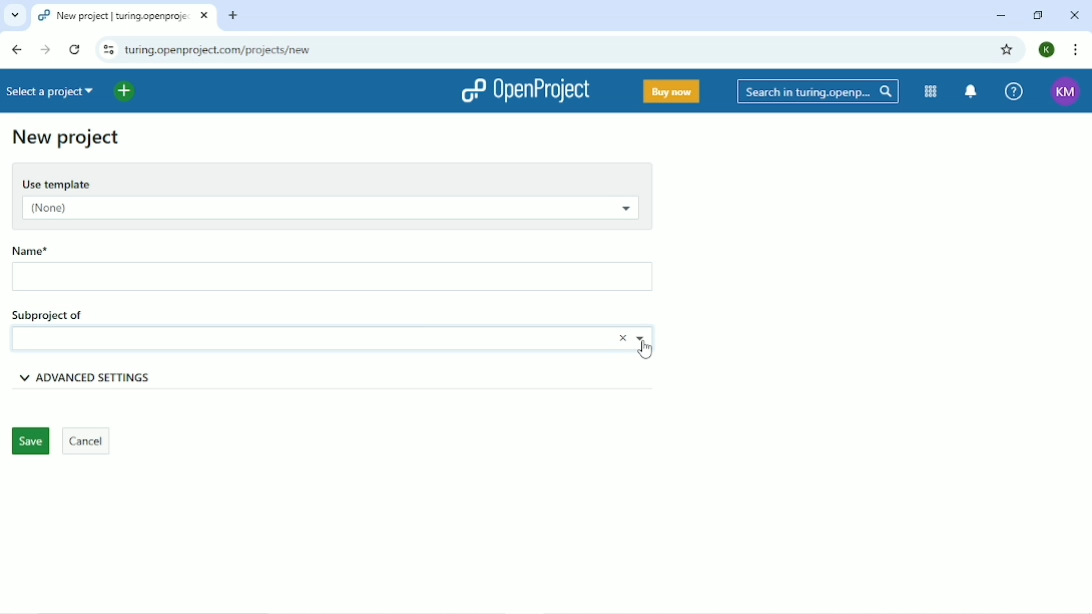 The width and height of the screenshot is (1092, 614). I want to click on New tab, so click(234, 15).